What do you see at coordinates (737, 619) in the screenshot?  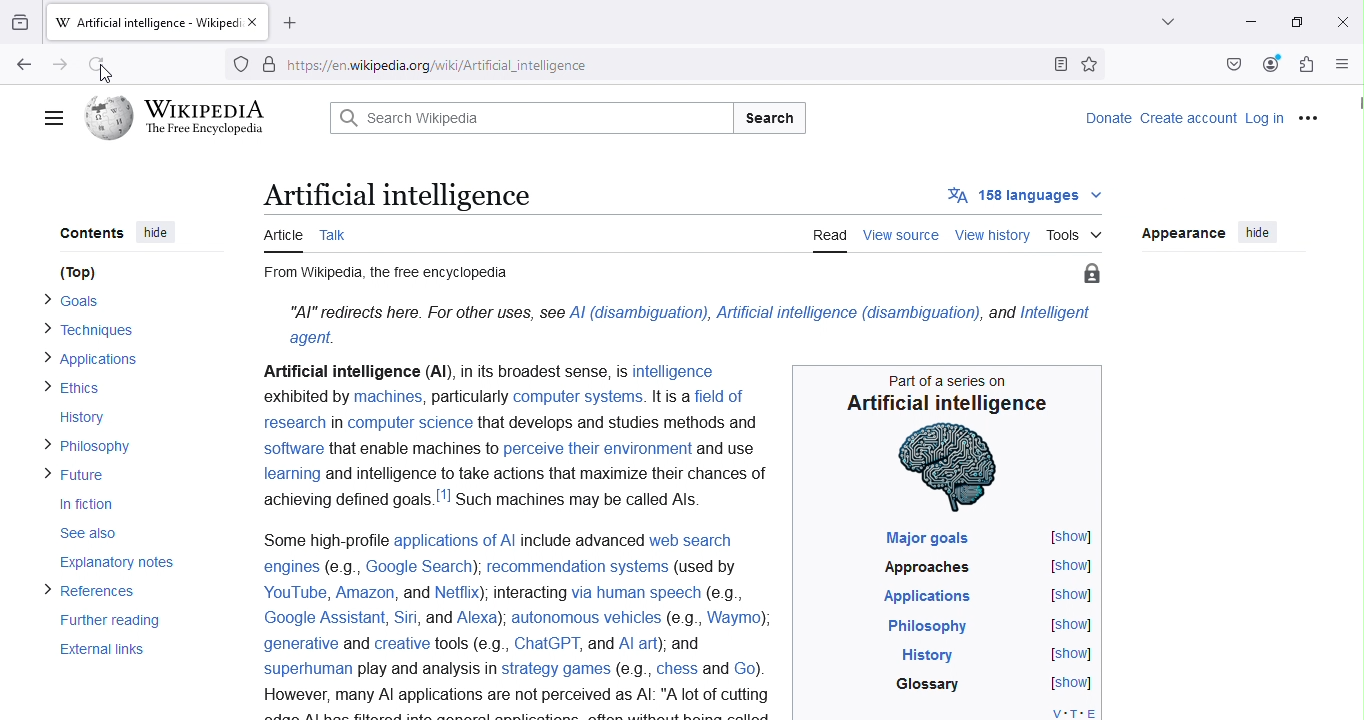 I see `Waymo)` at bounding box center [737, 619].